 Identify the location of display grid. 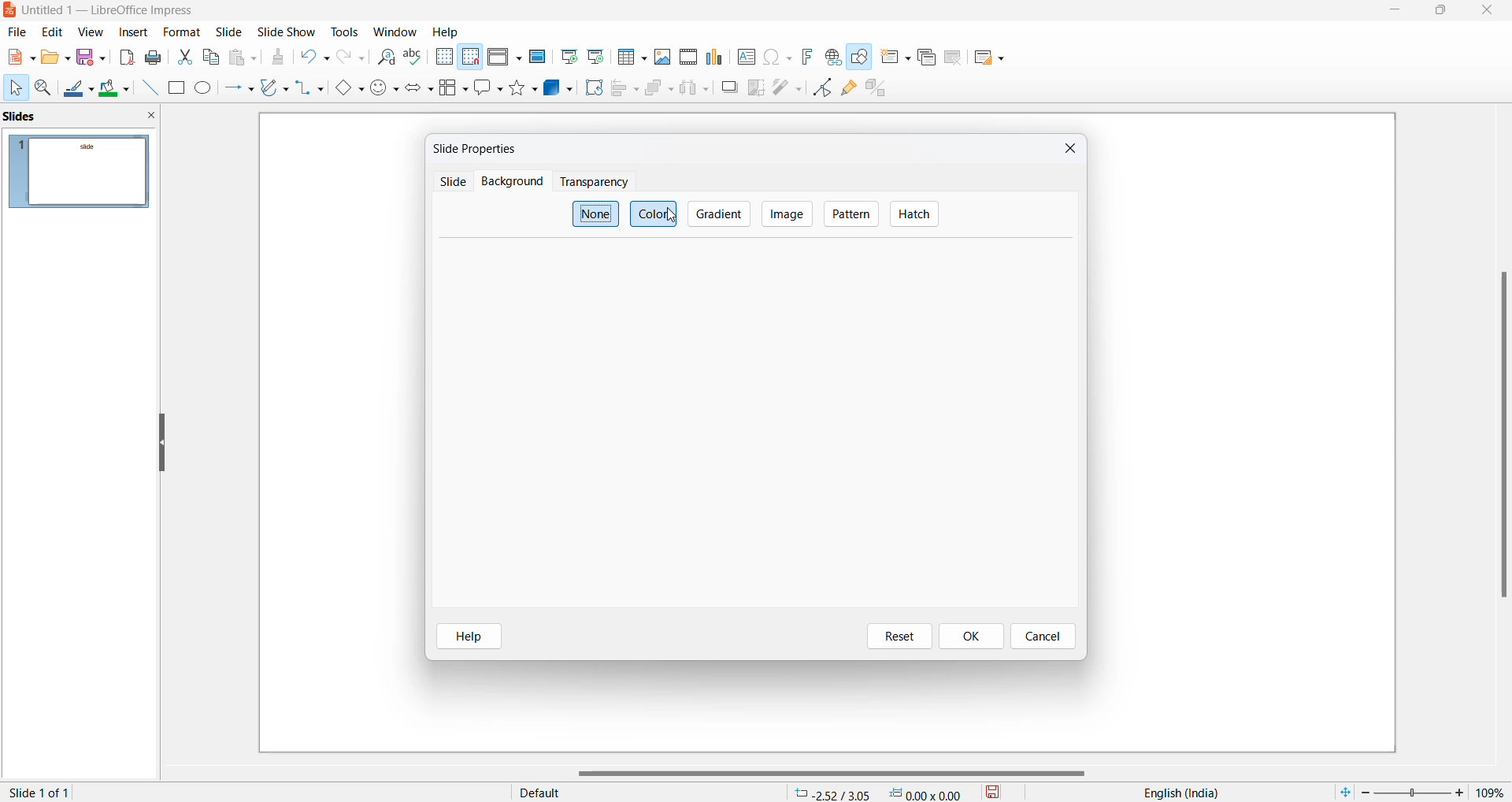
(443, 58).